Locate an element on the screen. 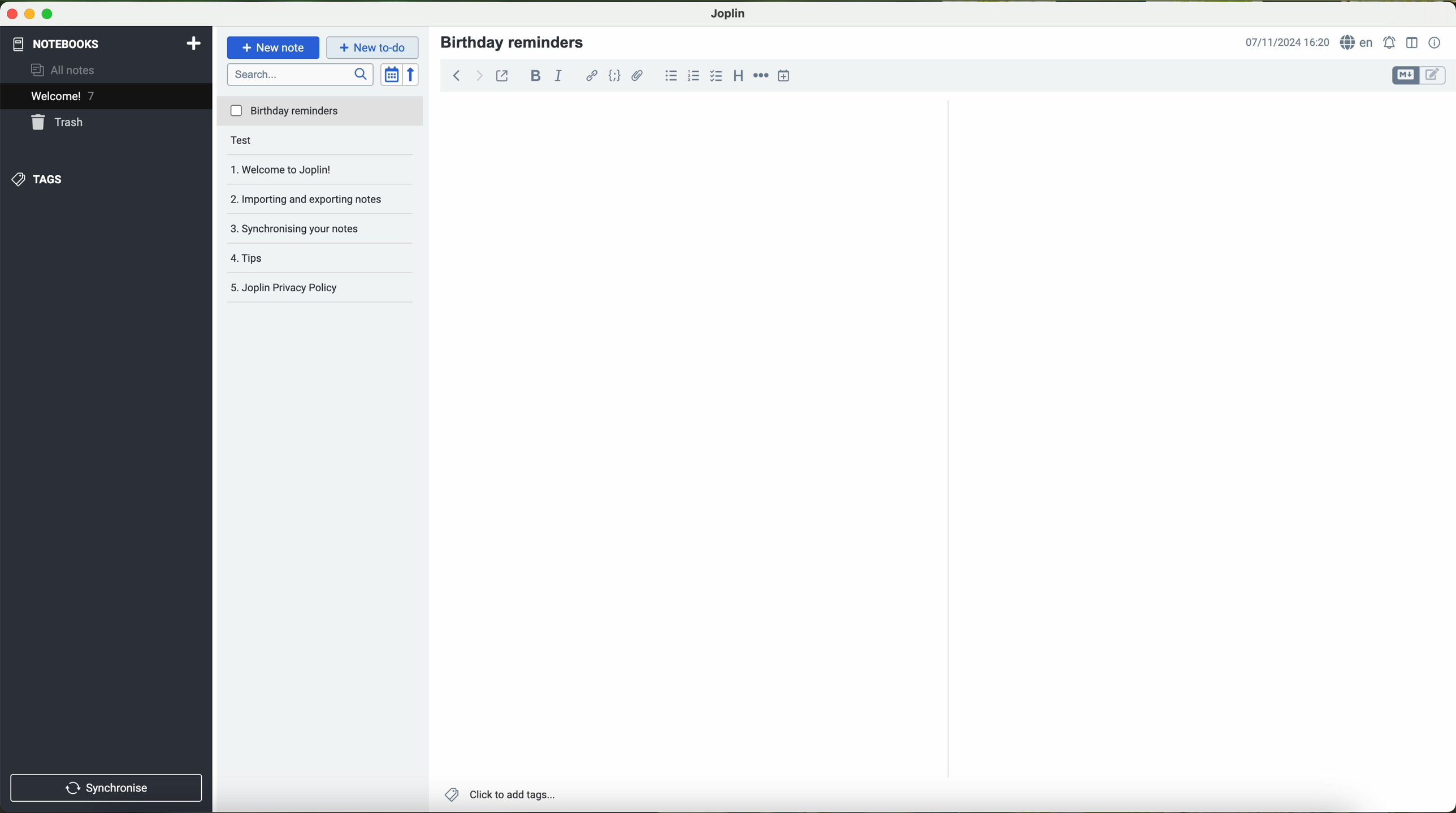 Image resolution: width=1456 pixels, height=813 pixels. new note button is located at coordinates (272, 47).